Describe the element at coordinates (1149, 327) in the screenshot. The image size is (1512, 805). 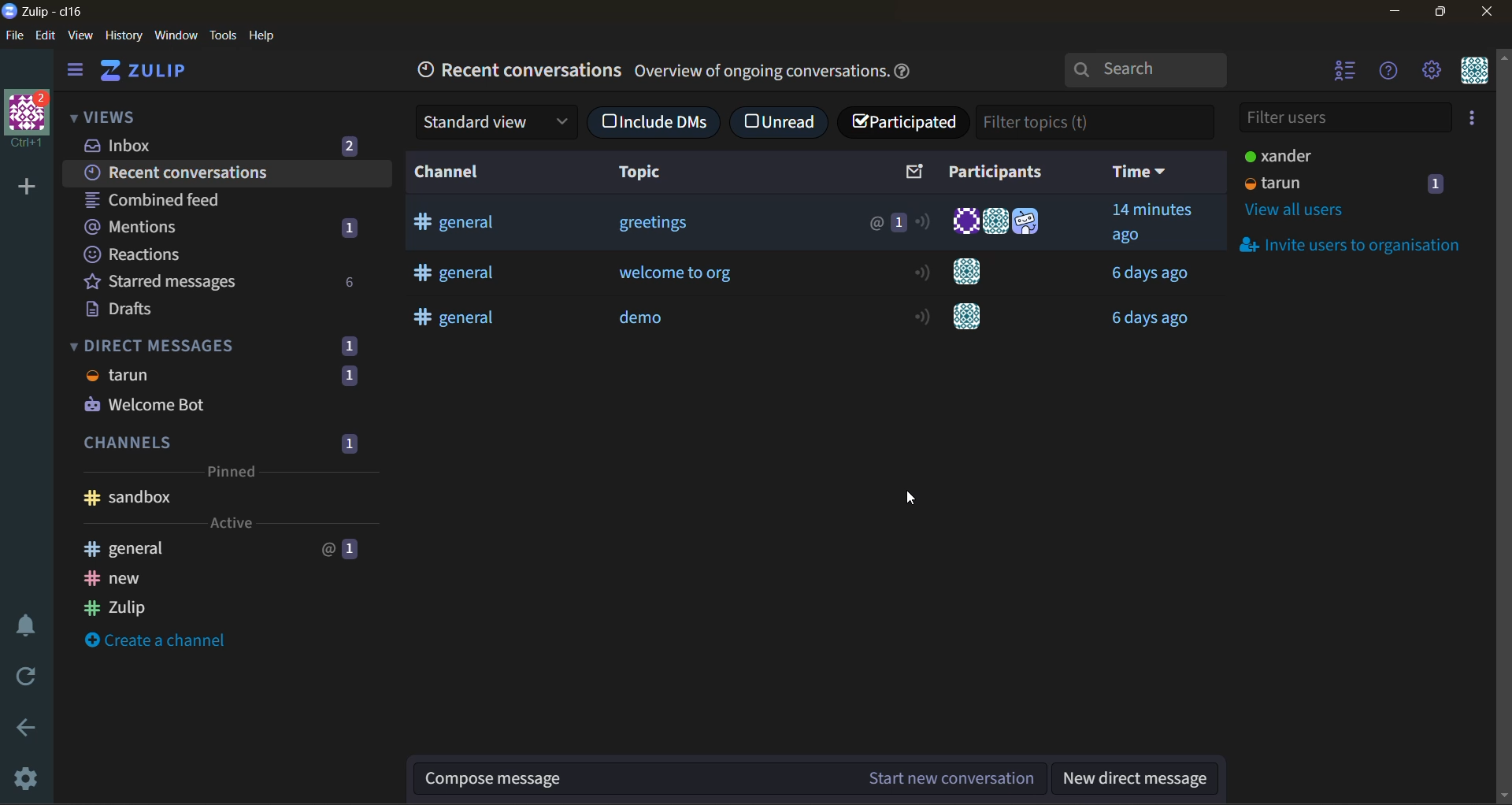
I see `time` at that location.